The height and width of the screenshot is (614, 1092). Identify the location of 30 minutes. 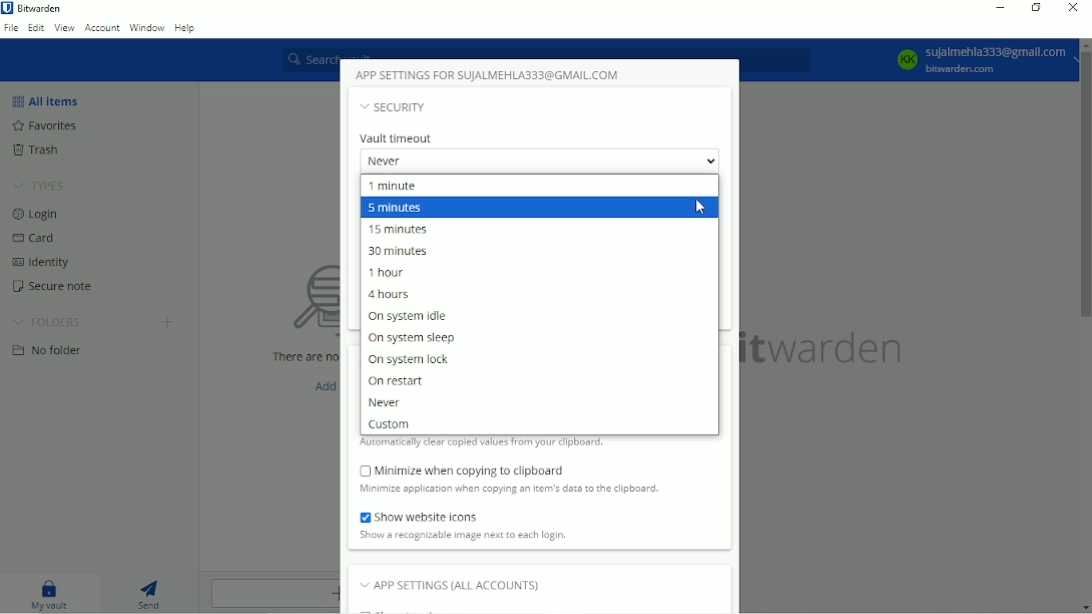
(397, 252).